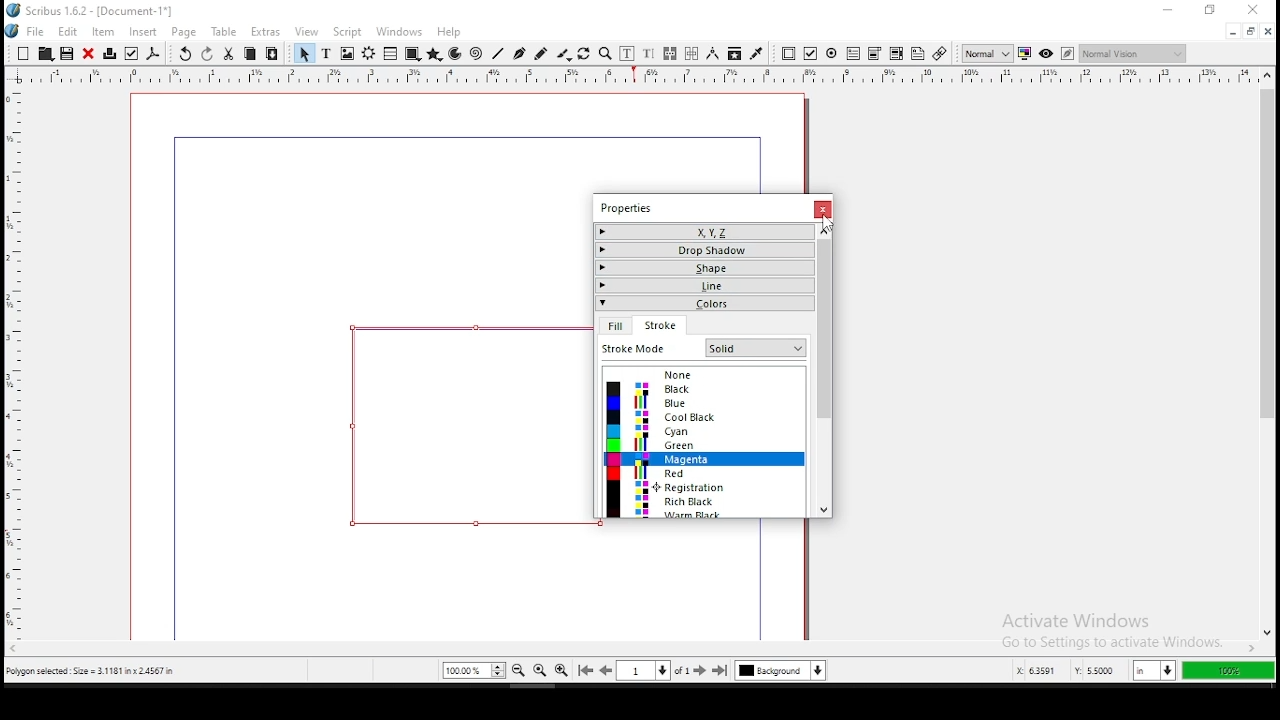  I want to click on table, so click(390, 53).